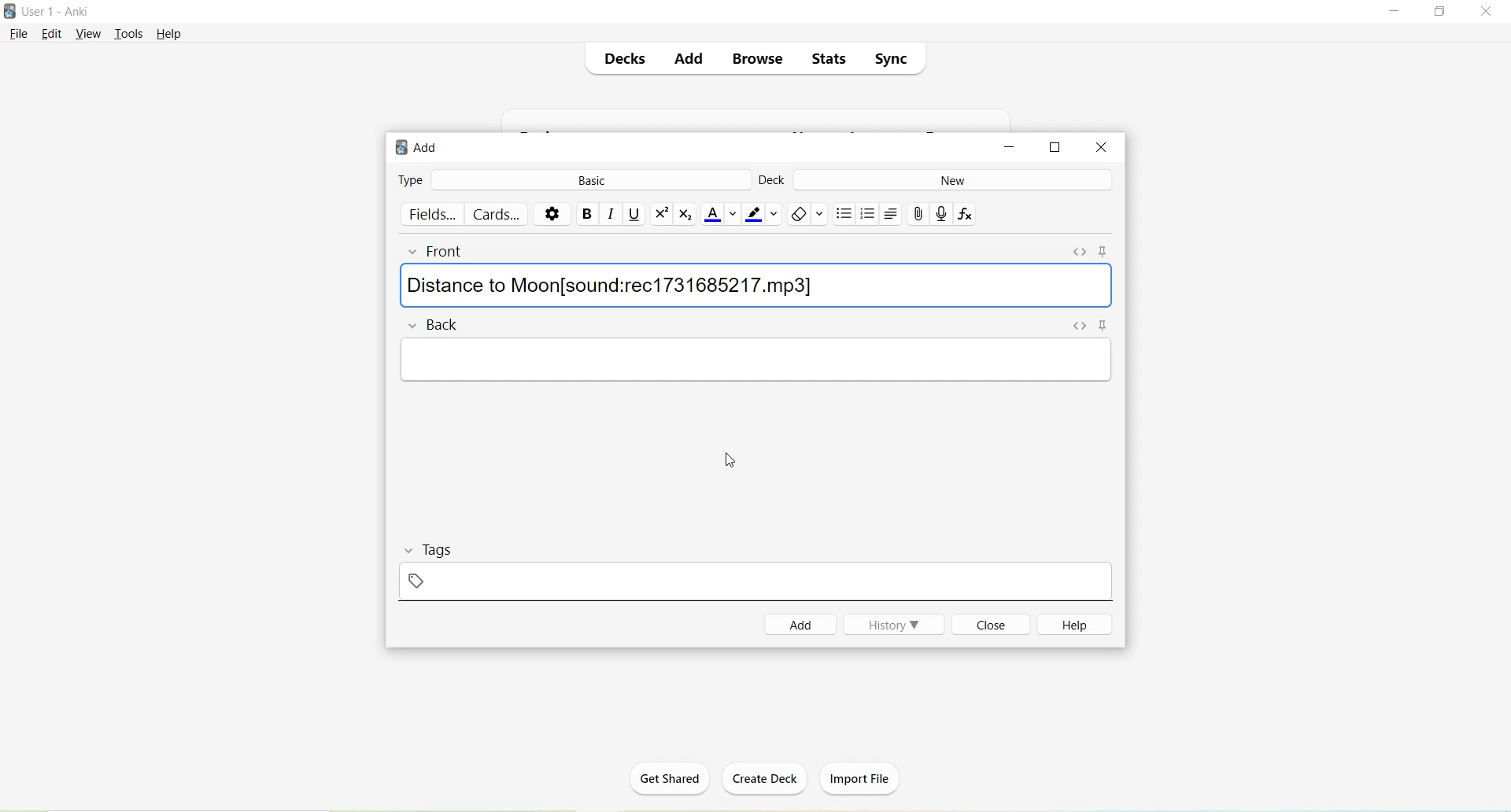  What do you see at coordinates (892, 214) in the screenshot?
I see `Alignment` at bounding box center [892, 214].